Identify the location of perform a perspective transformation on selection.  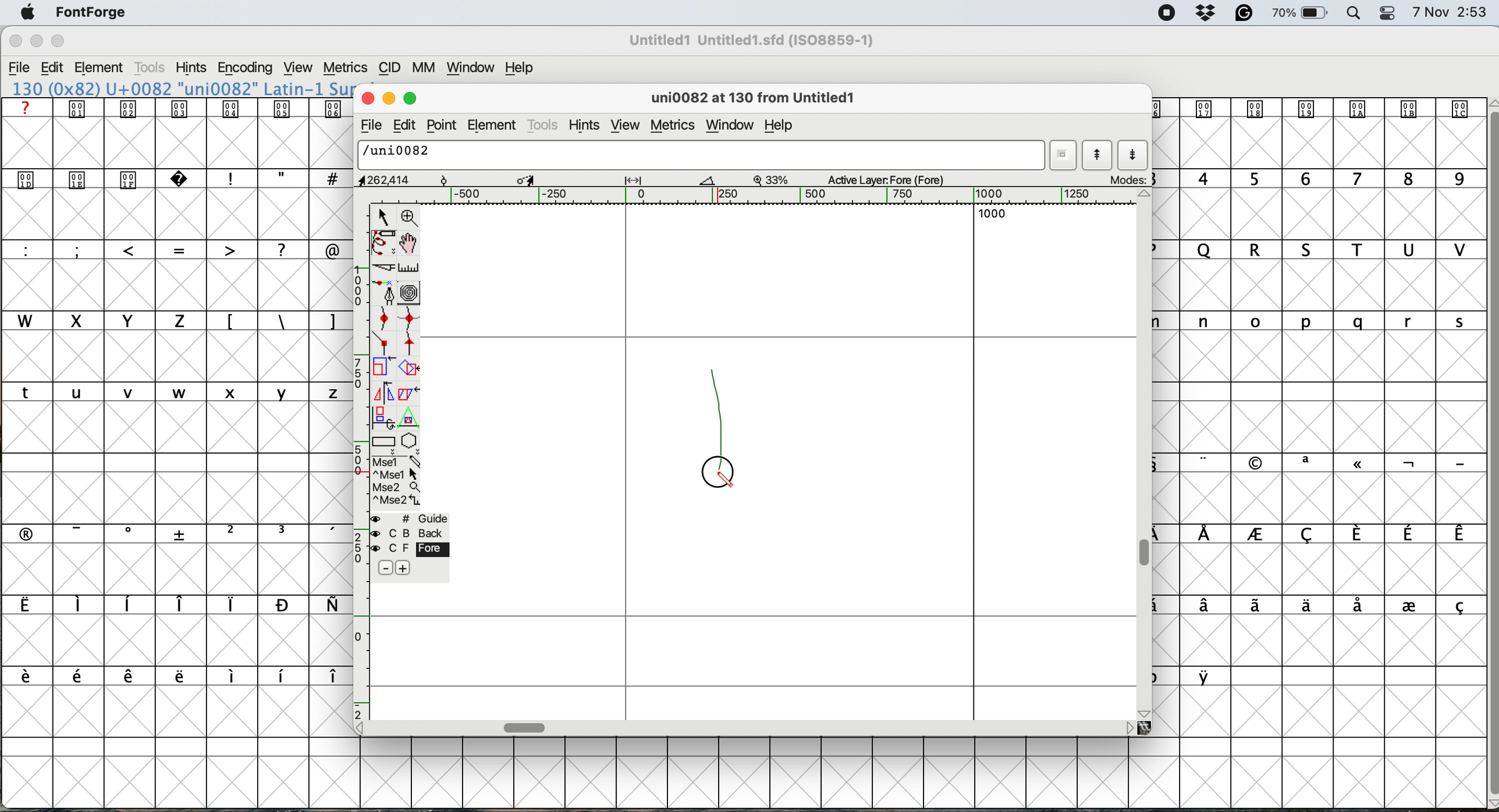
(411, 421).